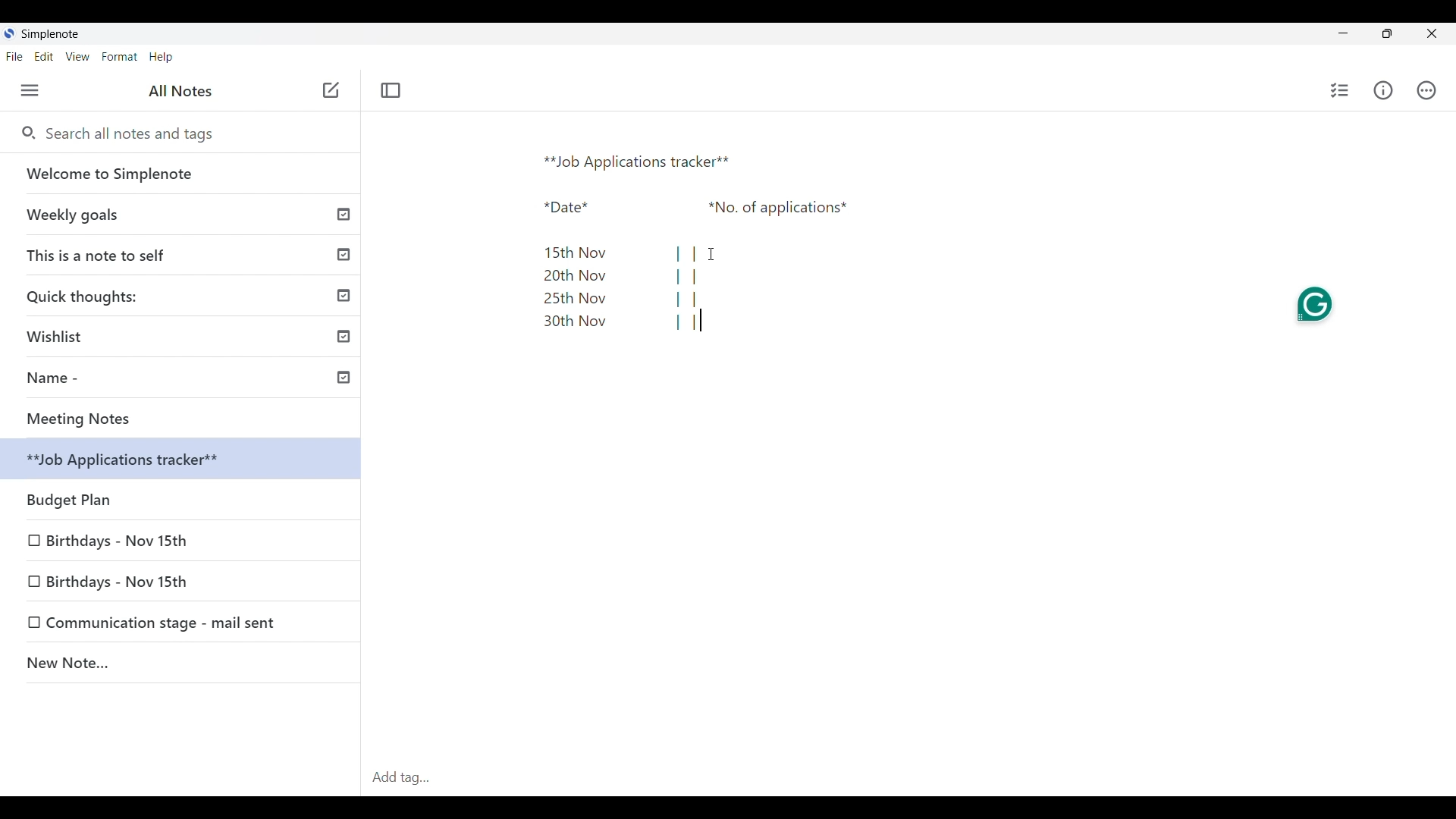 This screenshot has height=819, width=1456. What do you see at coordinates (714, 245) in the screenshot?
I see `Text pasted` at bounding box center [714, 245].